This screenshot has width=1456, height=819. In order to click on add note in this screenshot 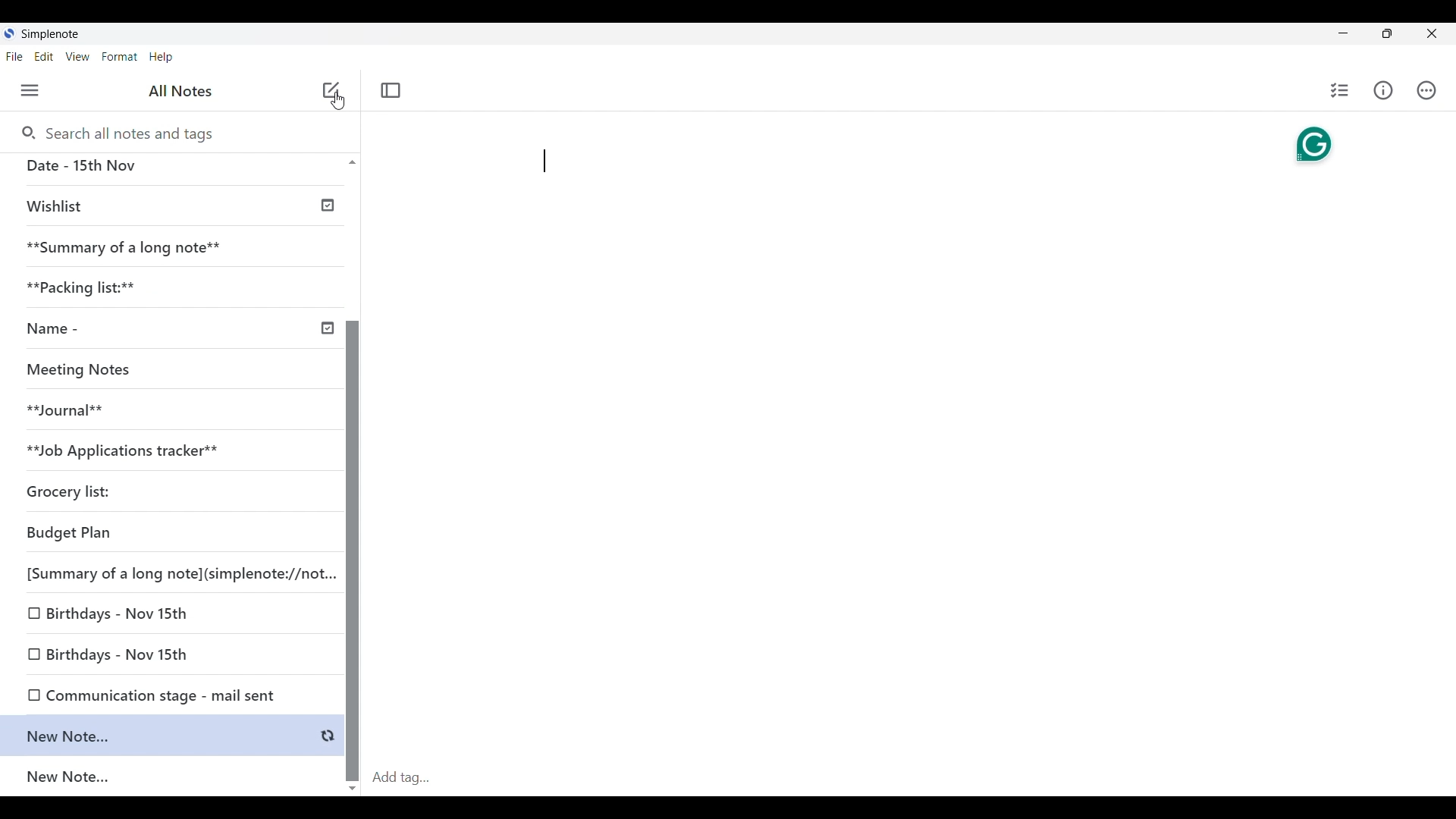, I will do `click(329, 89)`.